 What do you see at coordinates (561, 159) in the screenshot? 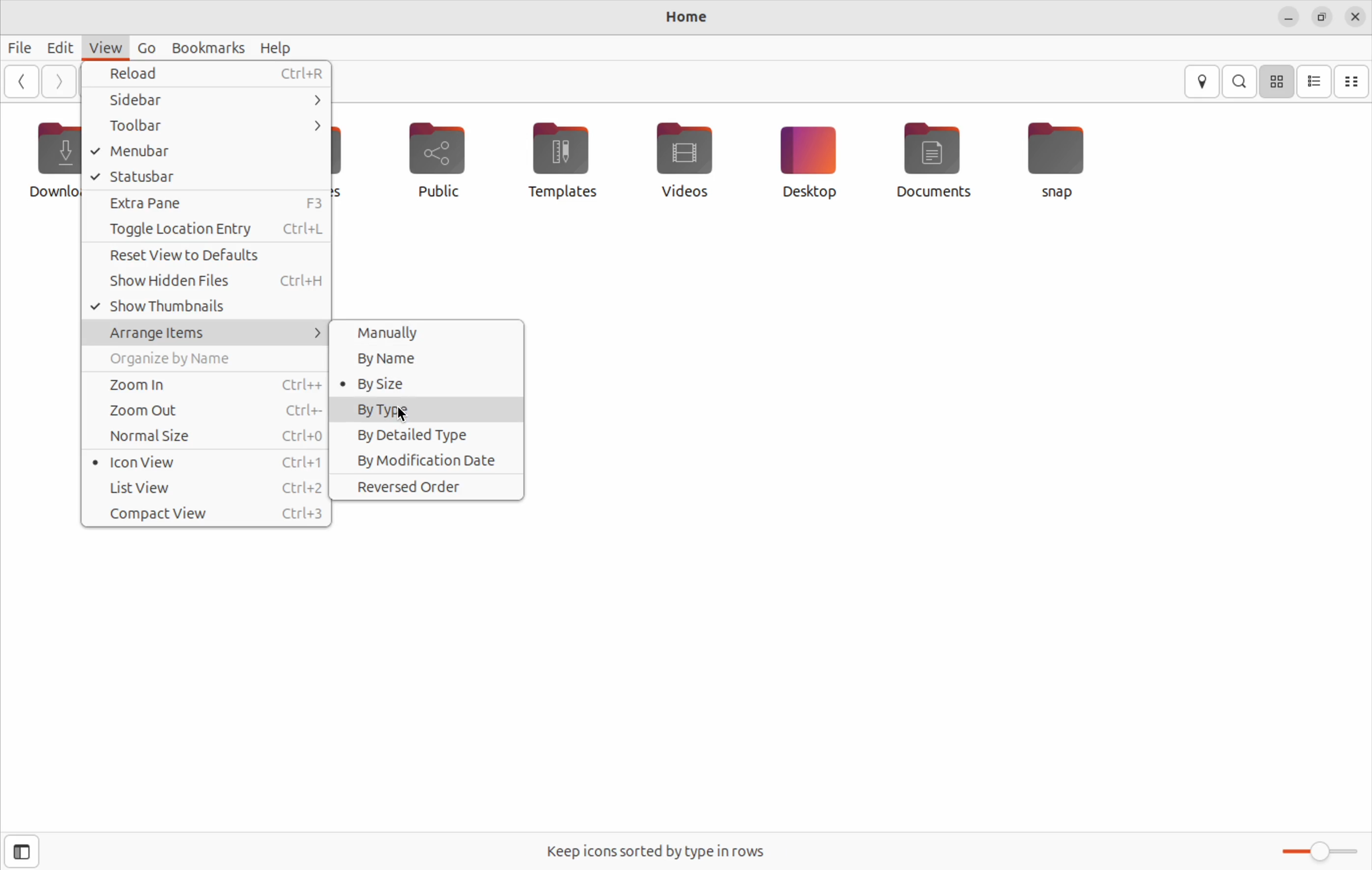
I see `templates` at bounding box center [561, 159].